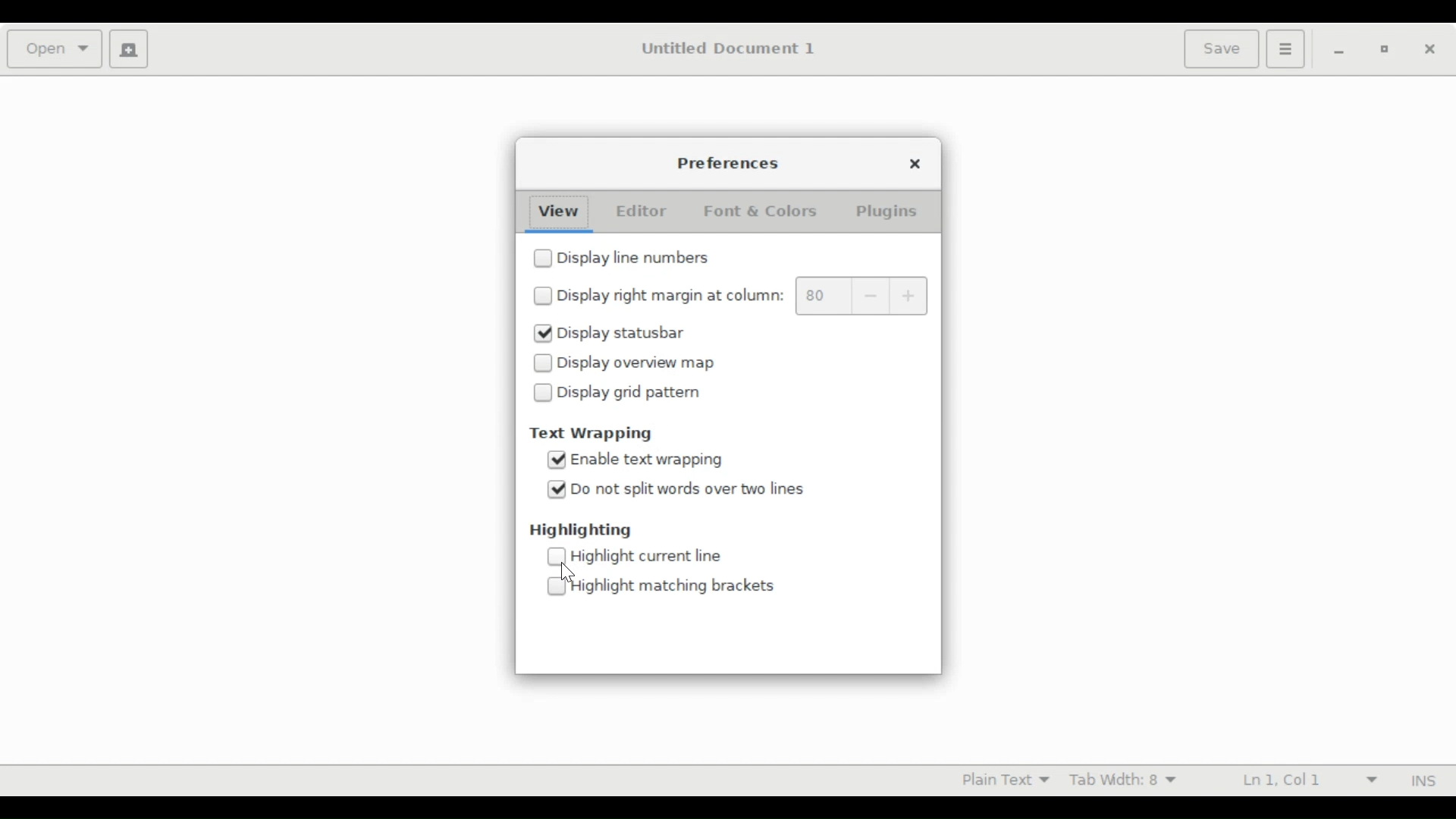  I want to click on Font & Color, so click(761, 214).